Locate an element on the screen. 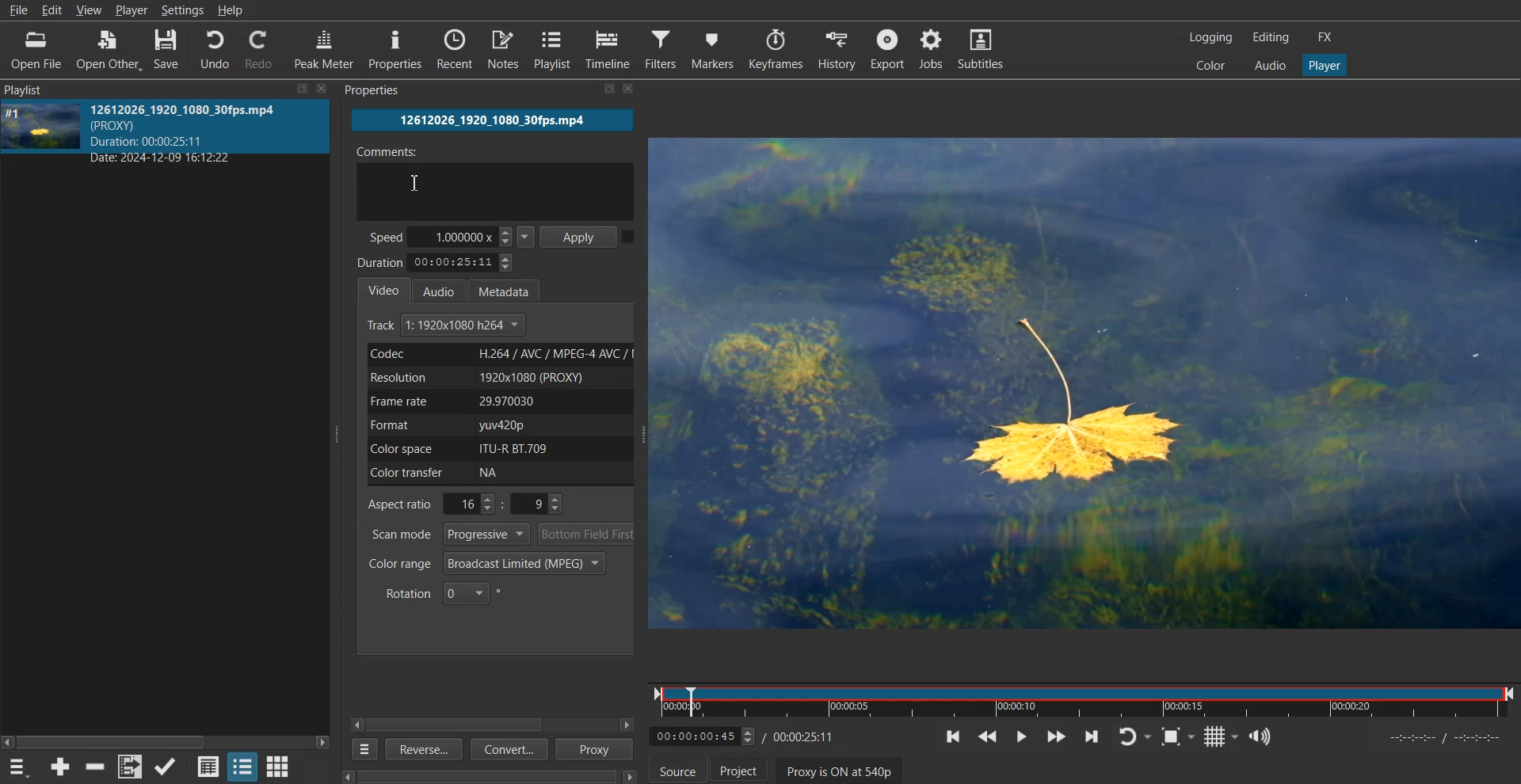  Play Backward is located at coordinates (987, 736).